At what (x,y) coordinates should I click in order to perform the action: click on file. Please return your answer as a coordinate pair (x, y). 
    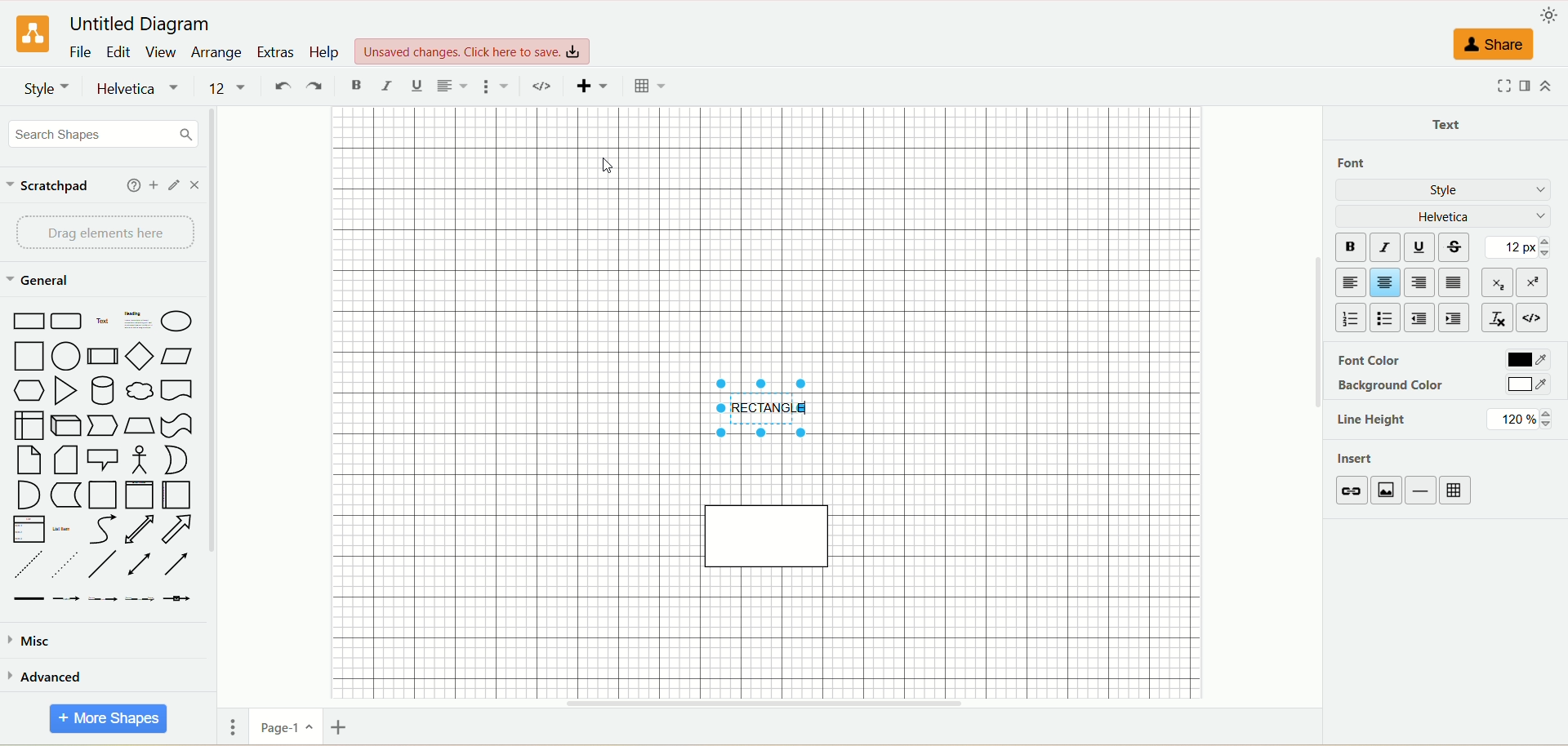
    Looking at the image, I should click on (80, 51).